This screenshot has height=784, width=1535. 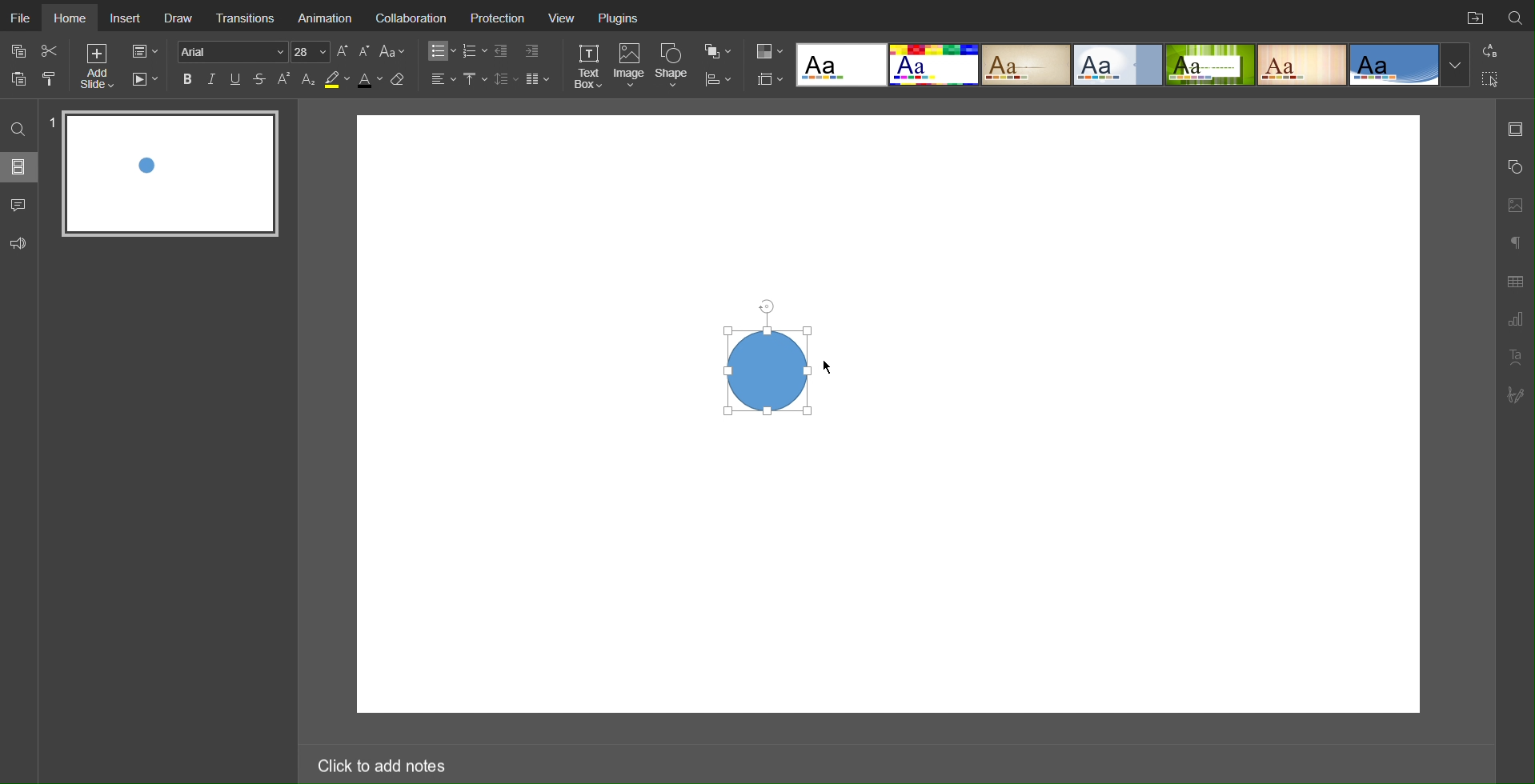 What do you see at coordinates (767, 79) in the screenshot?
I see `Slide Settings` at bounding box center [767, 79].